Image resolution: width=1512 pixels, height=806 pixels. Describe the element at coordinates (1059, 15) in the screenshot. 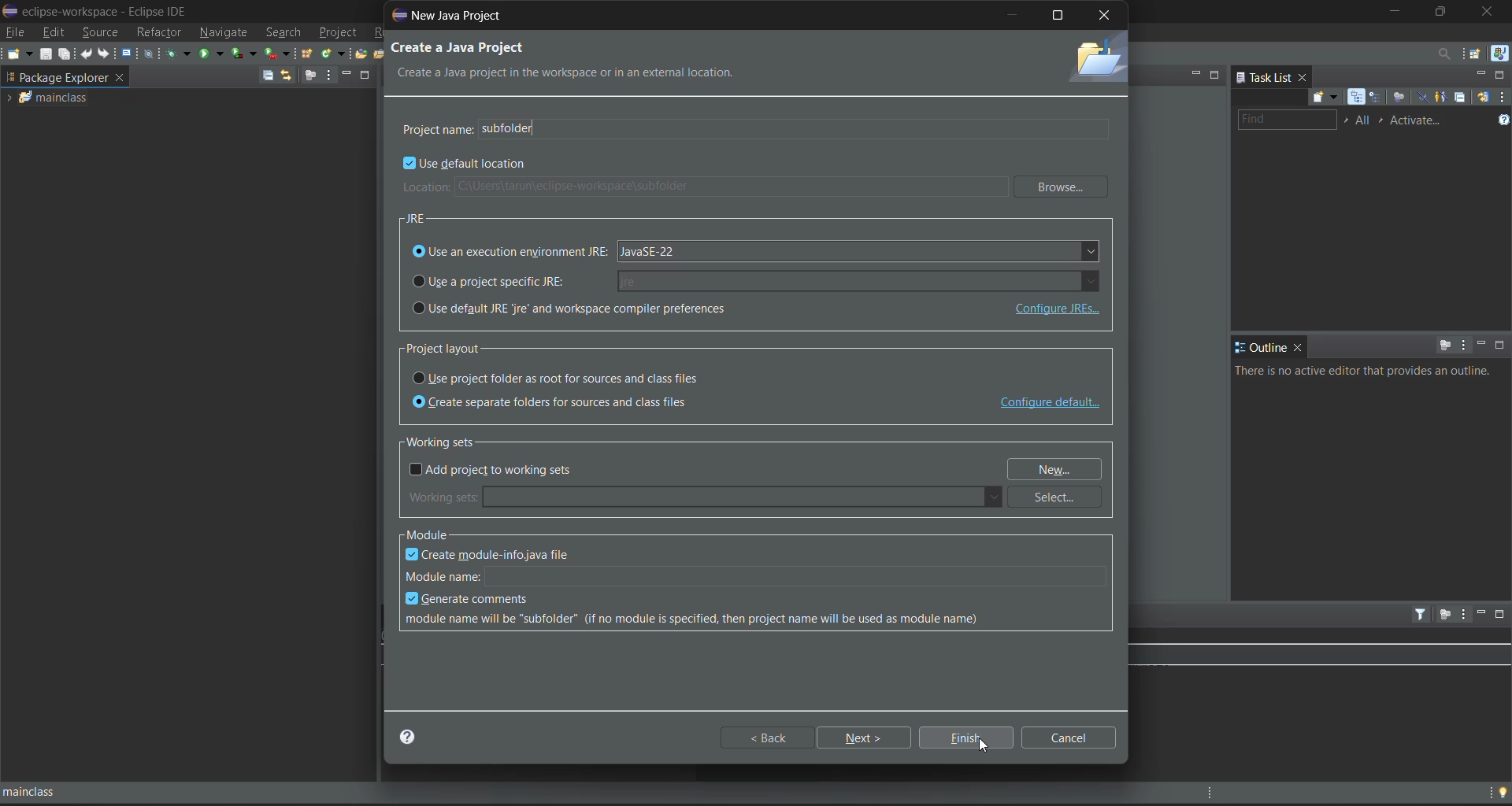

I see `maximize` at that location.